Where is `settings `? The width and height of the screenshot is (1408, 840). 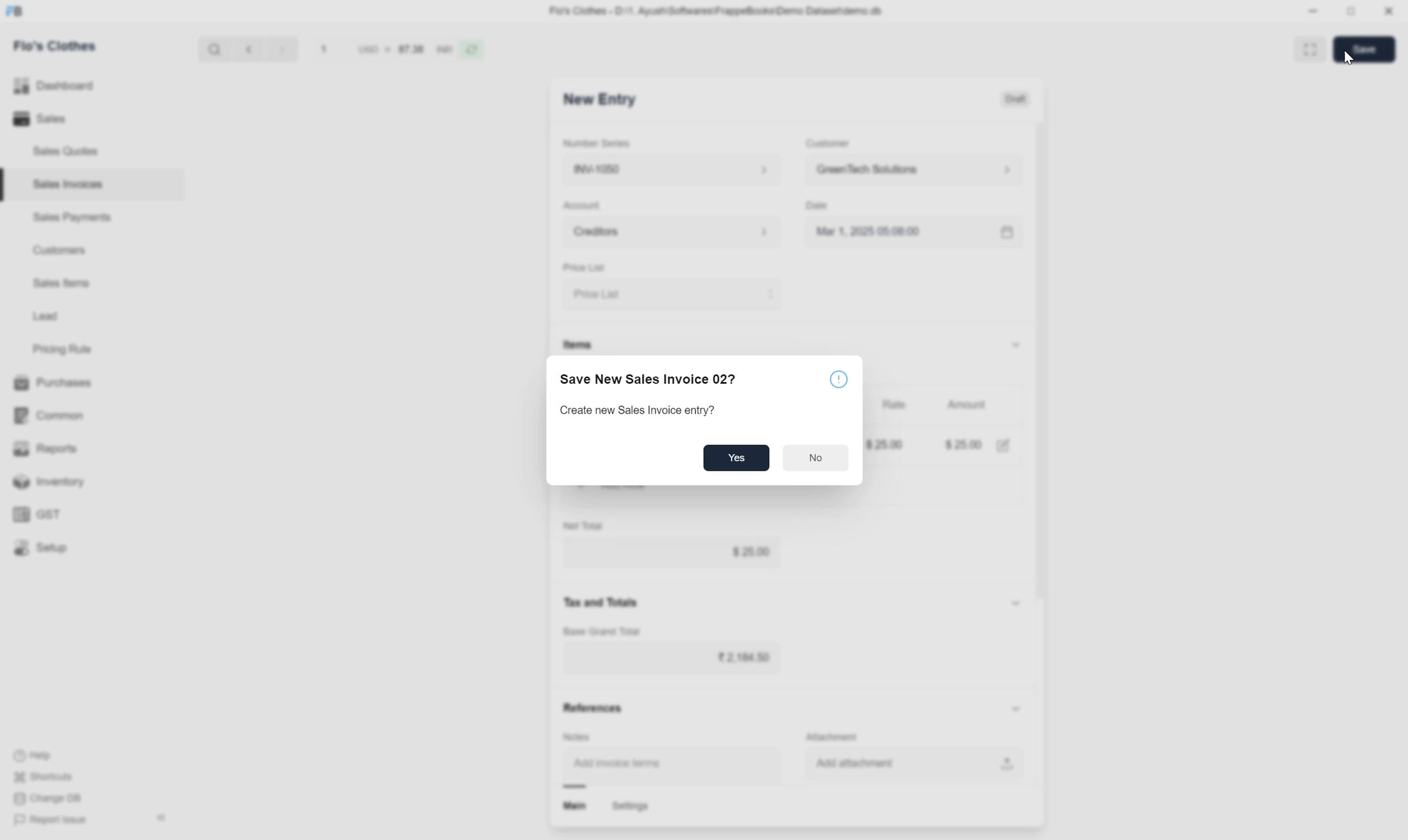
settings  is located at coordinates (632, 807).